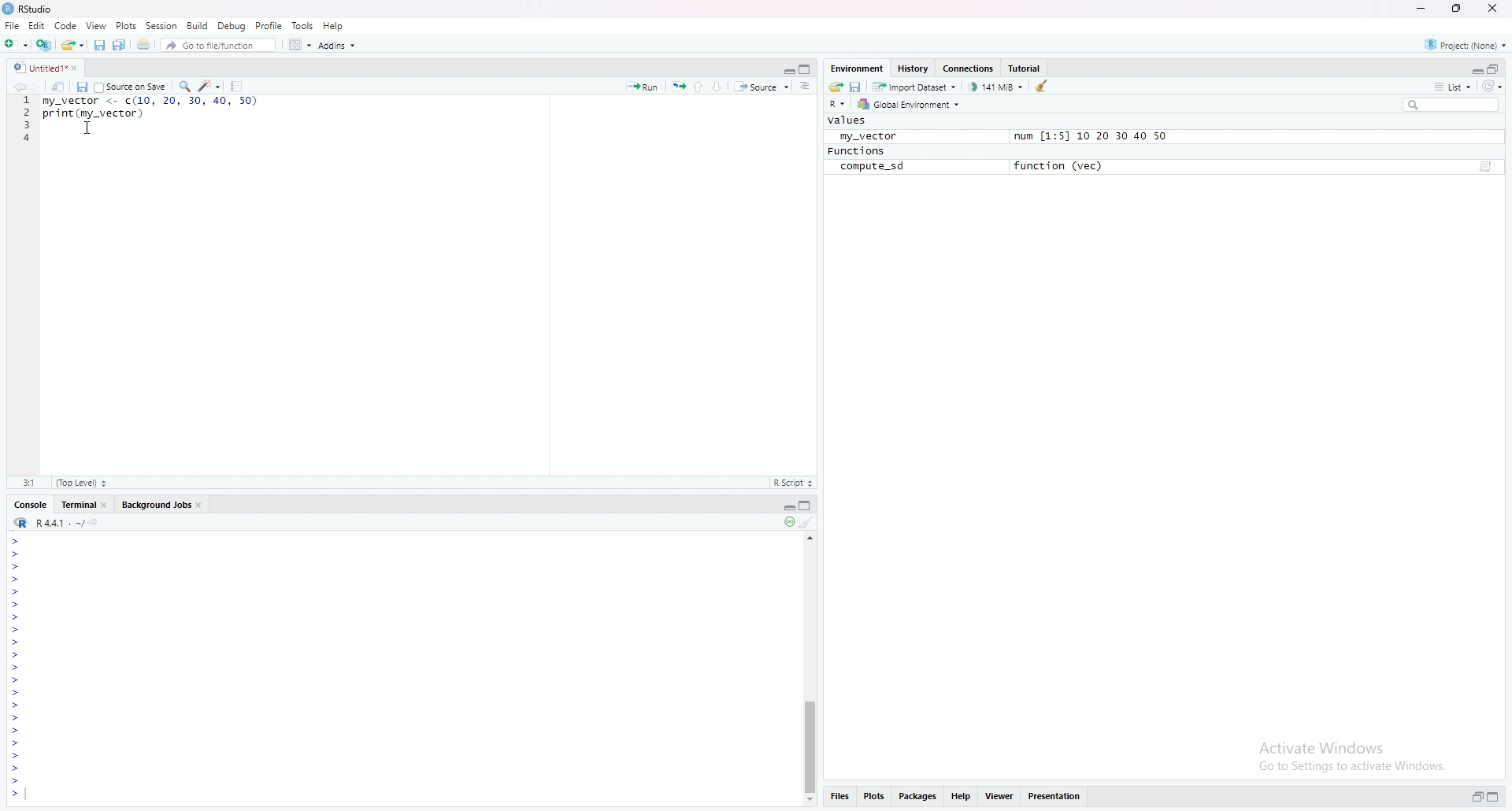  I want to click on Save workspace as, so click(858, 86).